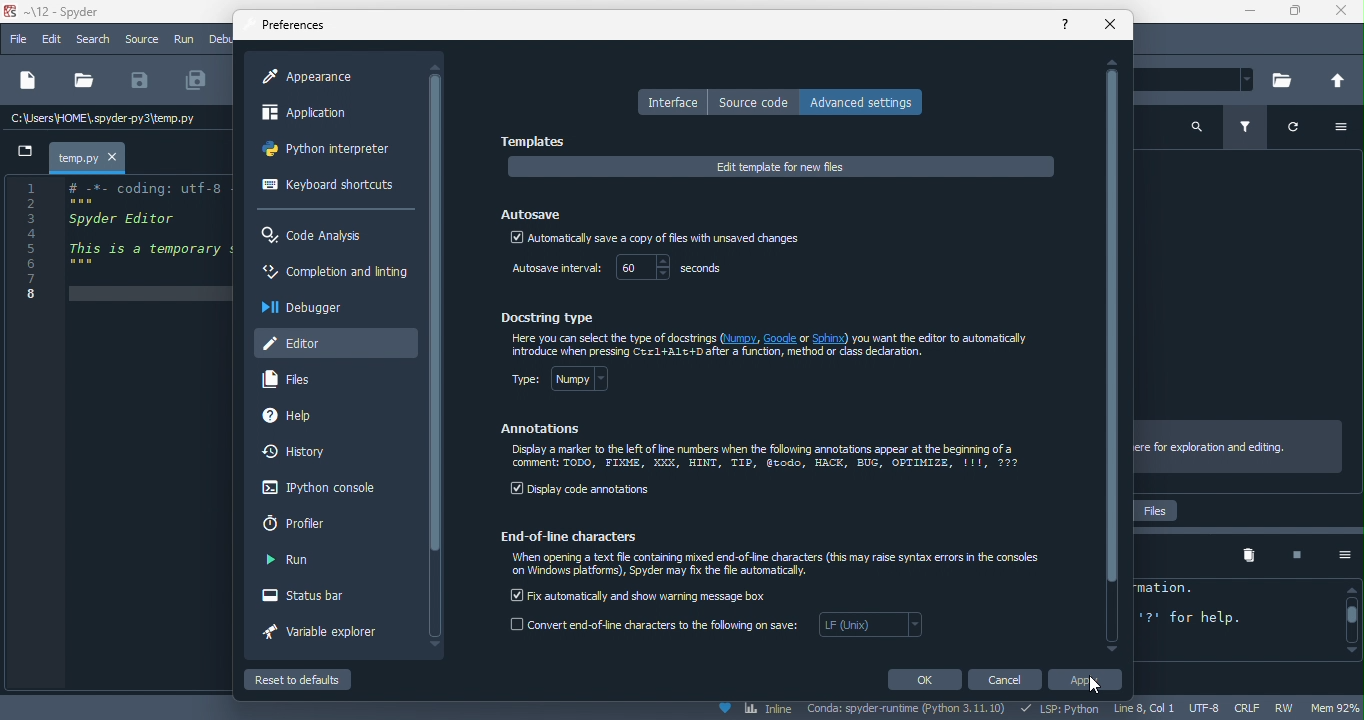 This screenshot has width=1364, height=720. I want to click on vertical scroll bar, so click(1112, 354).